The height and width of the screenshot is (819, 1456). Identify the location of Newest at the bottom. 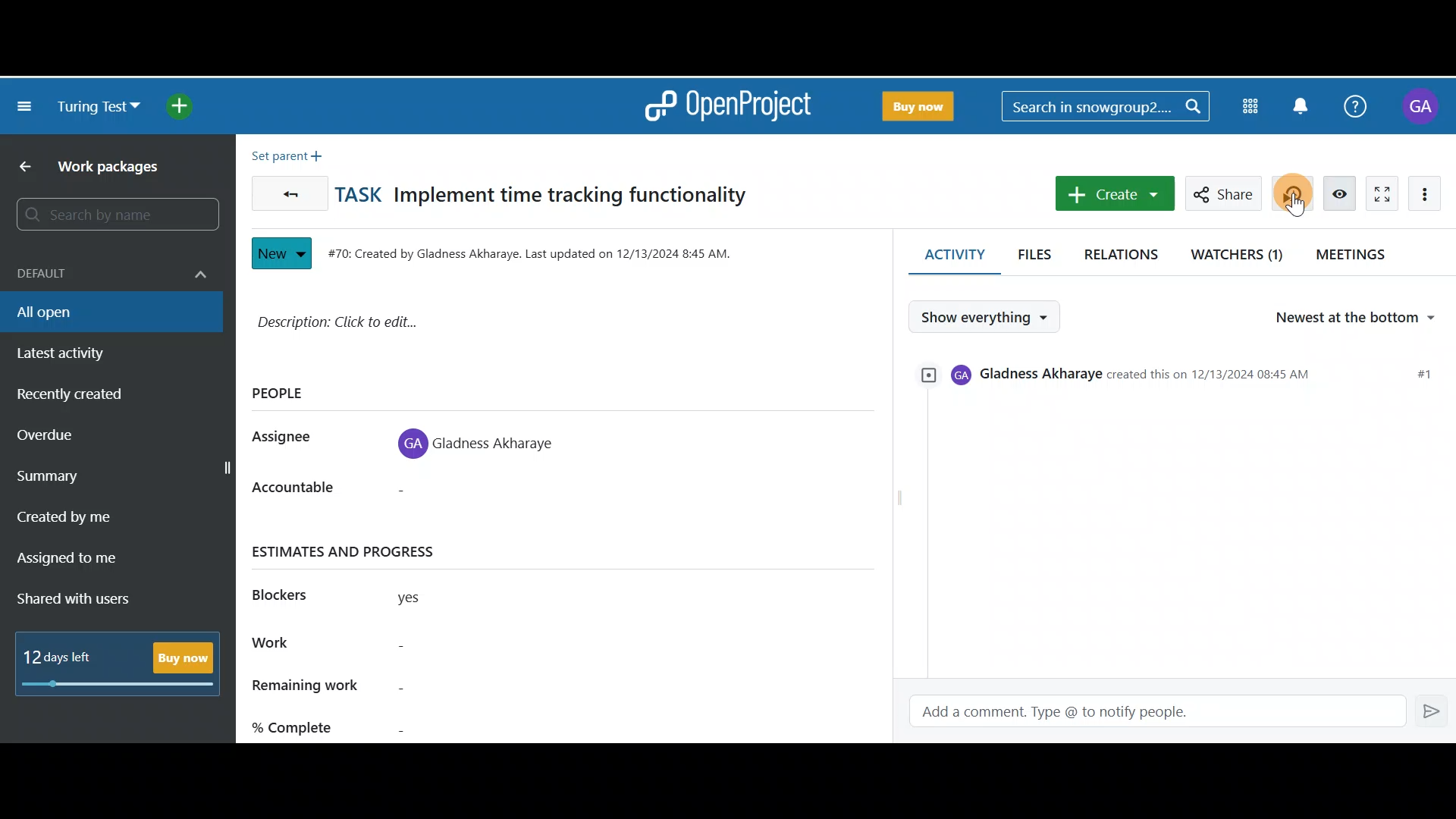
(1363, 318).